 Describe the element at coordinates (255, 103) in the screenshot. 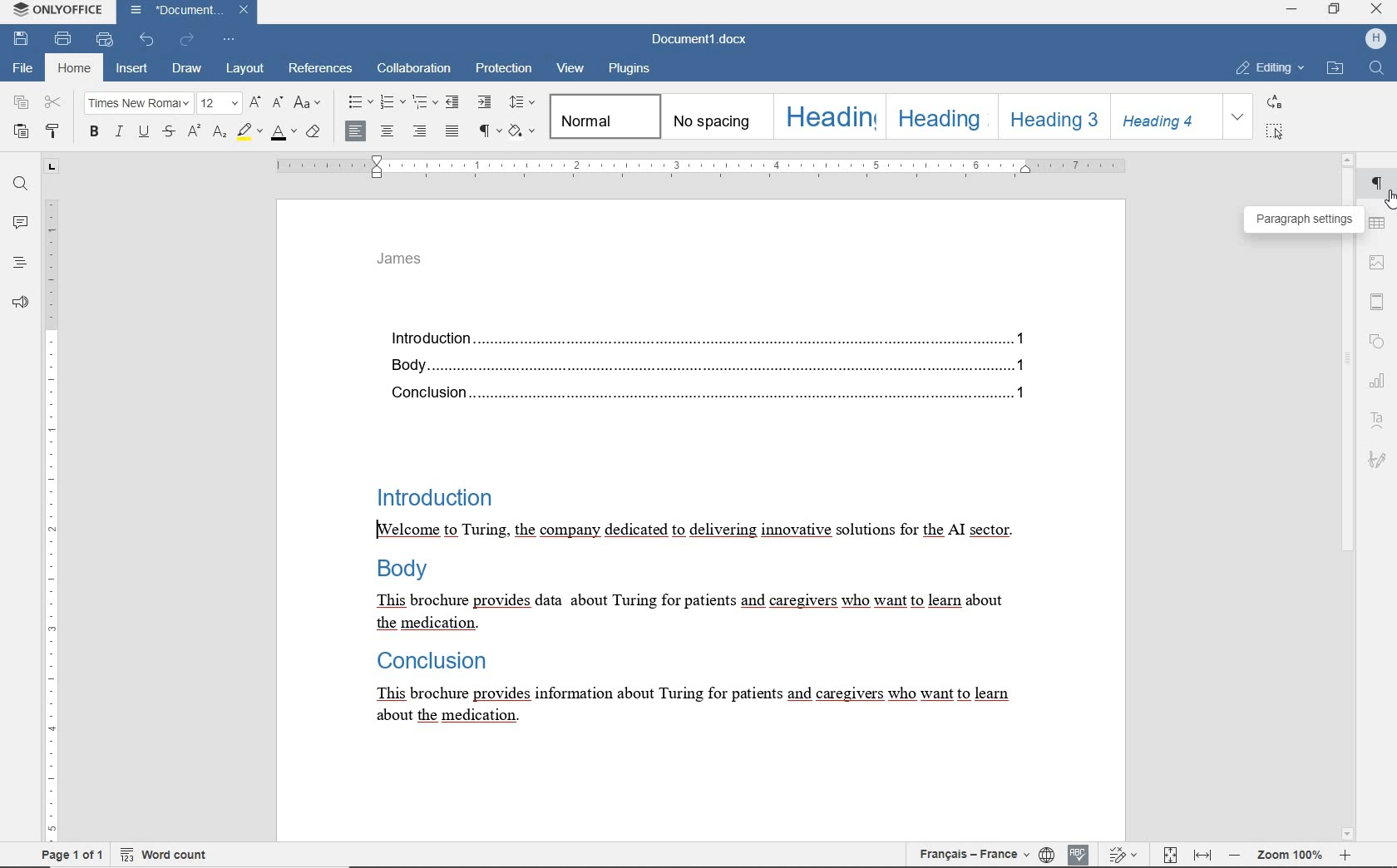

I see `increment font size` at that location.